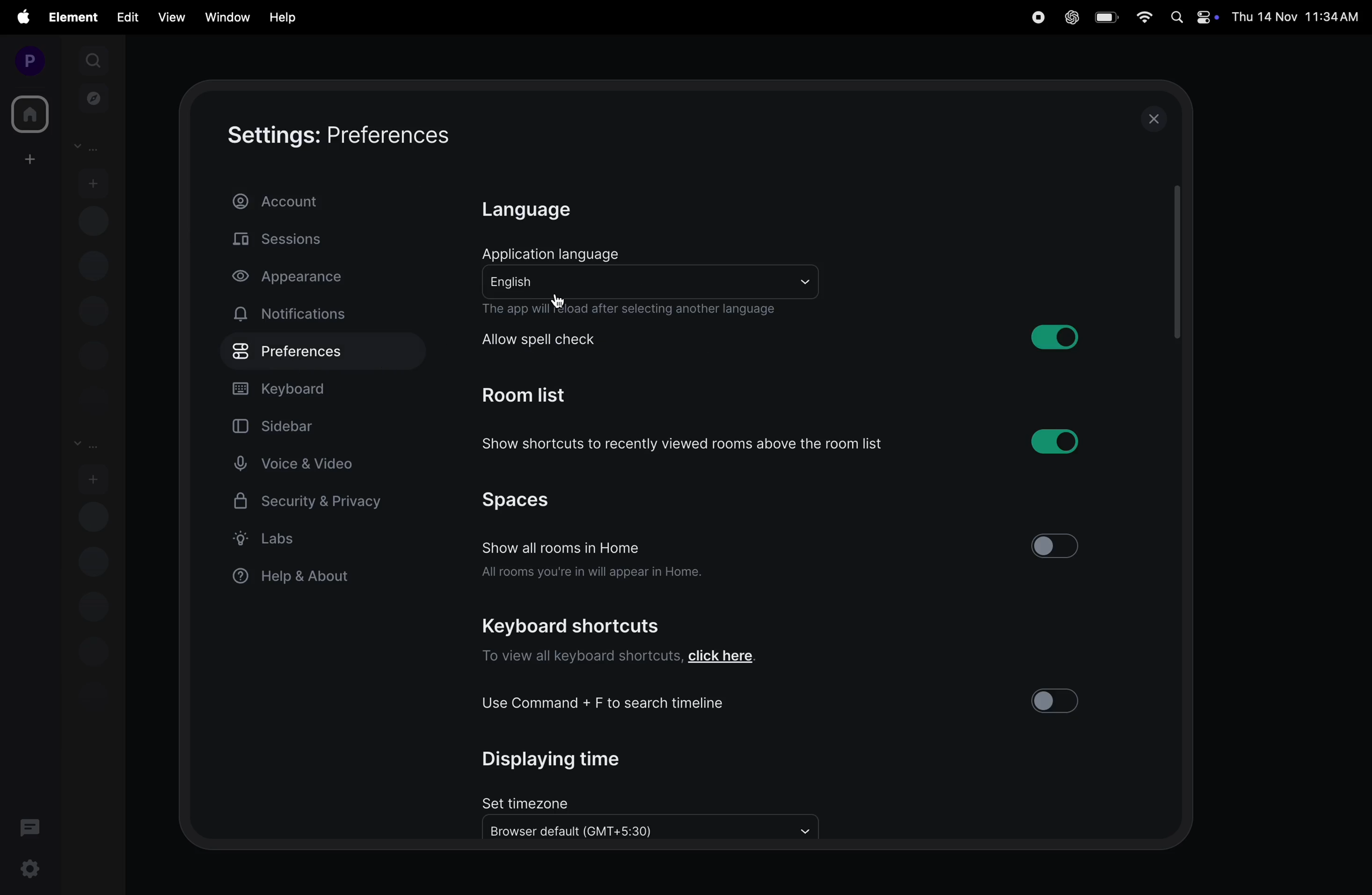  I want to click on create space, so click(28, 159).